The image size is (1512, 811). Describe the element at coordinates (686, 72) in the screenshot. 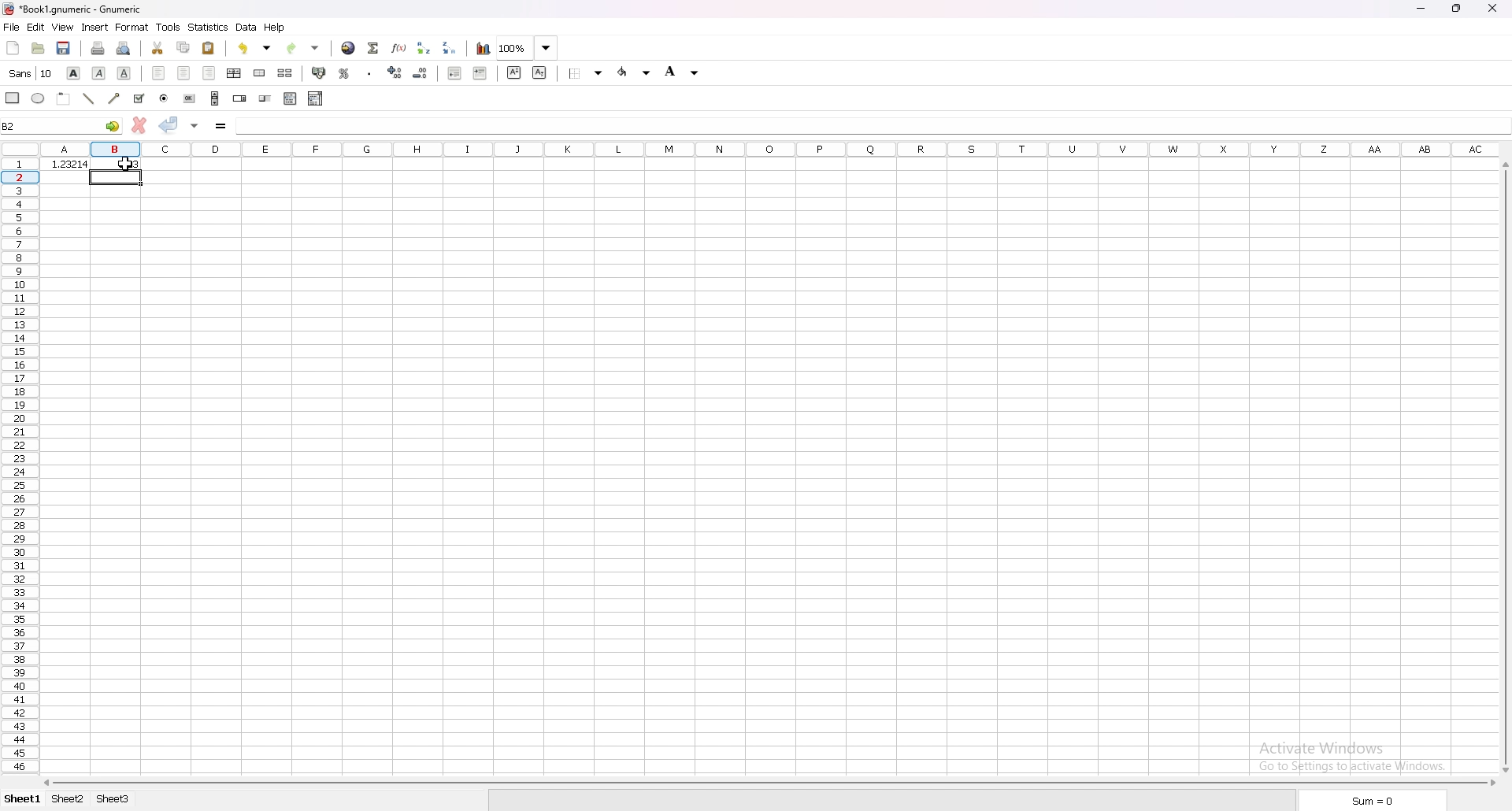

I see `background` at that location.